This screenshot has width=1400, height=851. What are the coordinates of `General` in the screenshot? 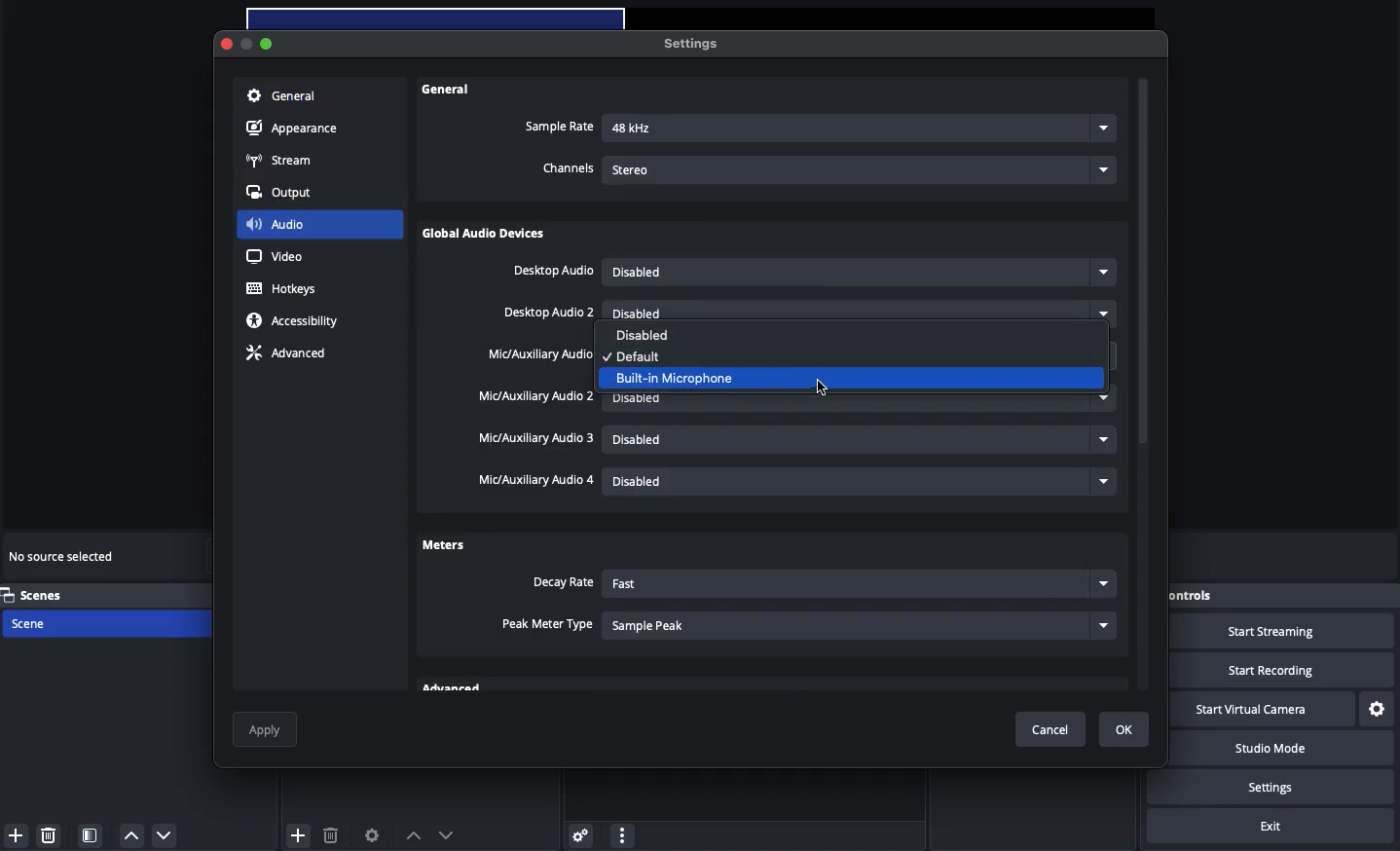 It's located at (281, 97).